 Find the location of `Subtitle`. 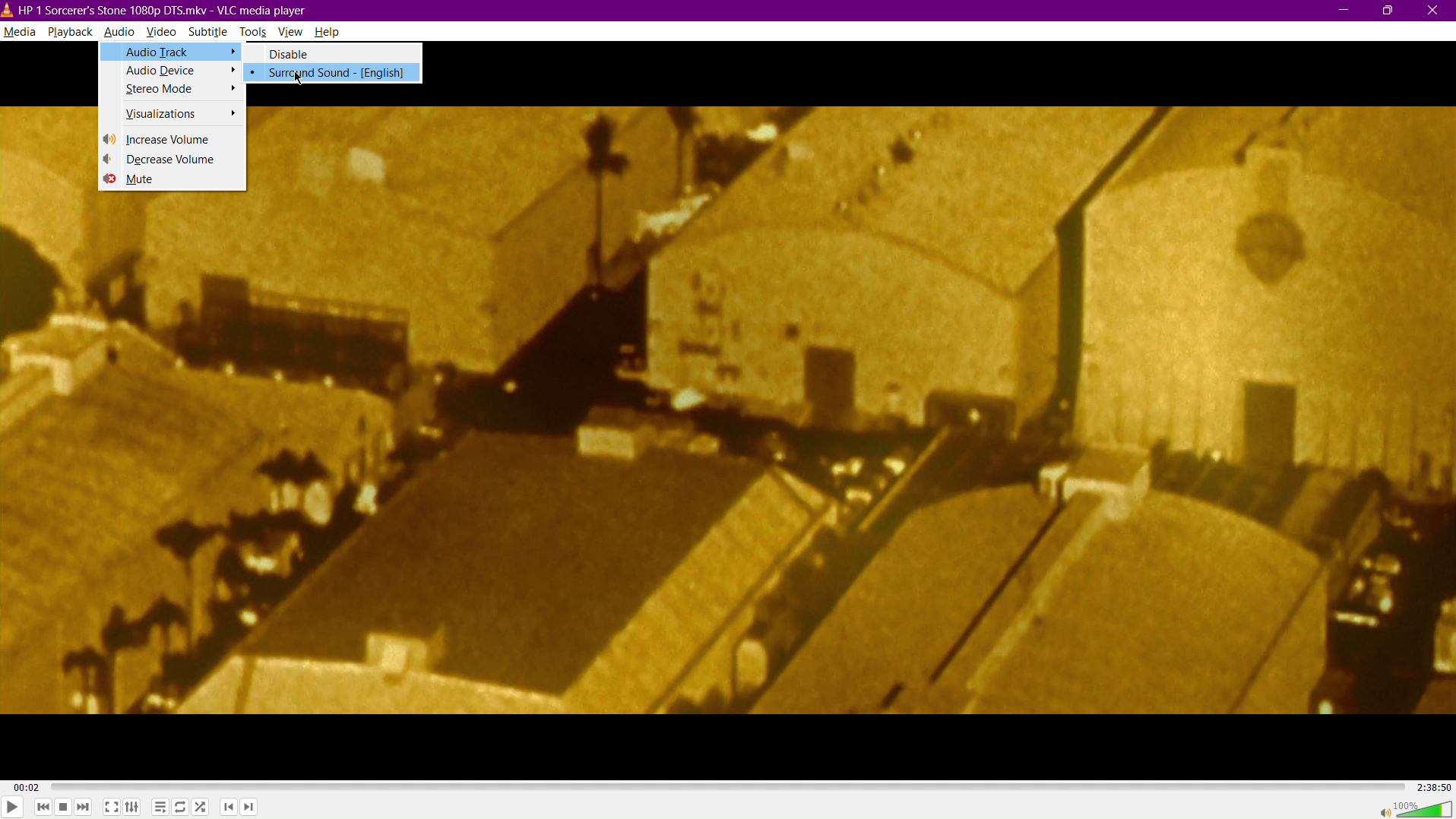

Subtitle is located at coordinates (210, 33).